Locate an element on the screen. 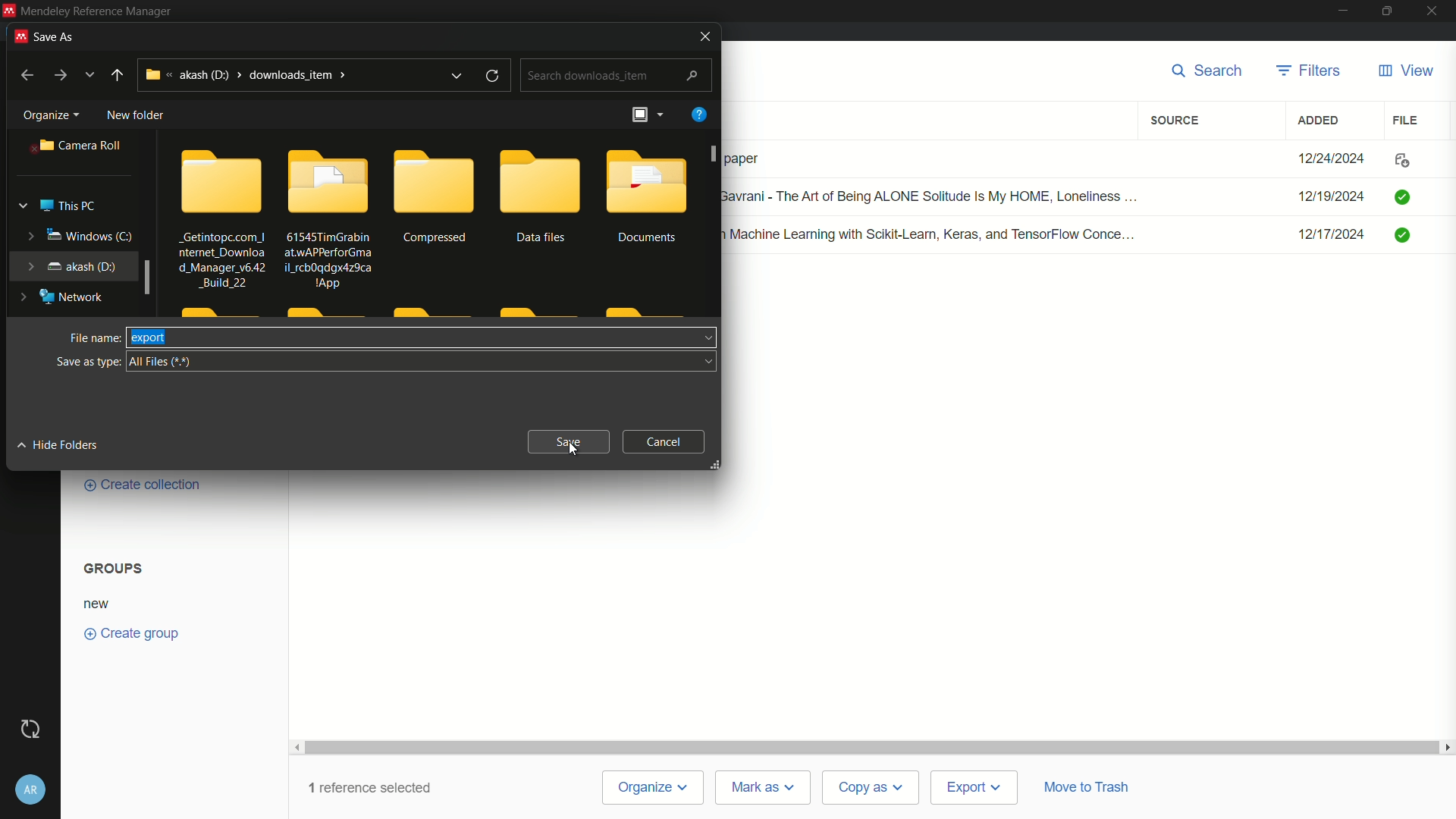 This screenshot has width=1456, height=819. hide folders is located at coordinates (56, 446).